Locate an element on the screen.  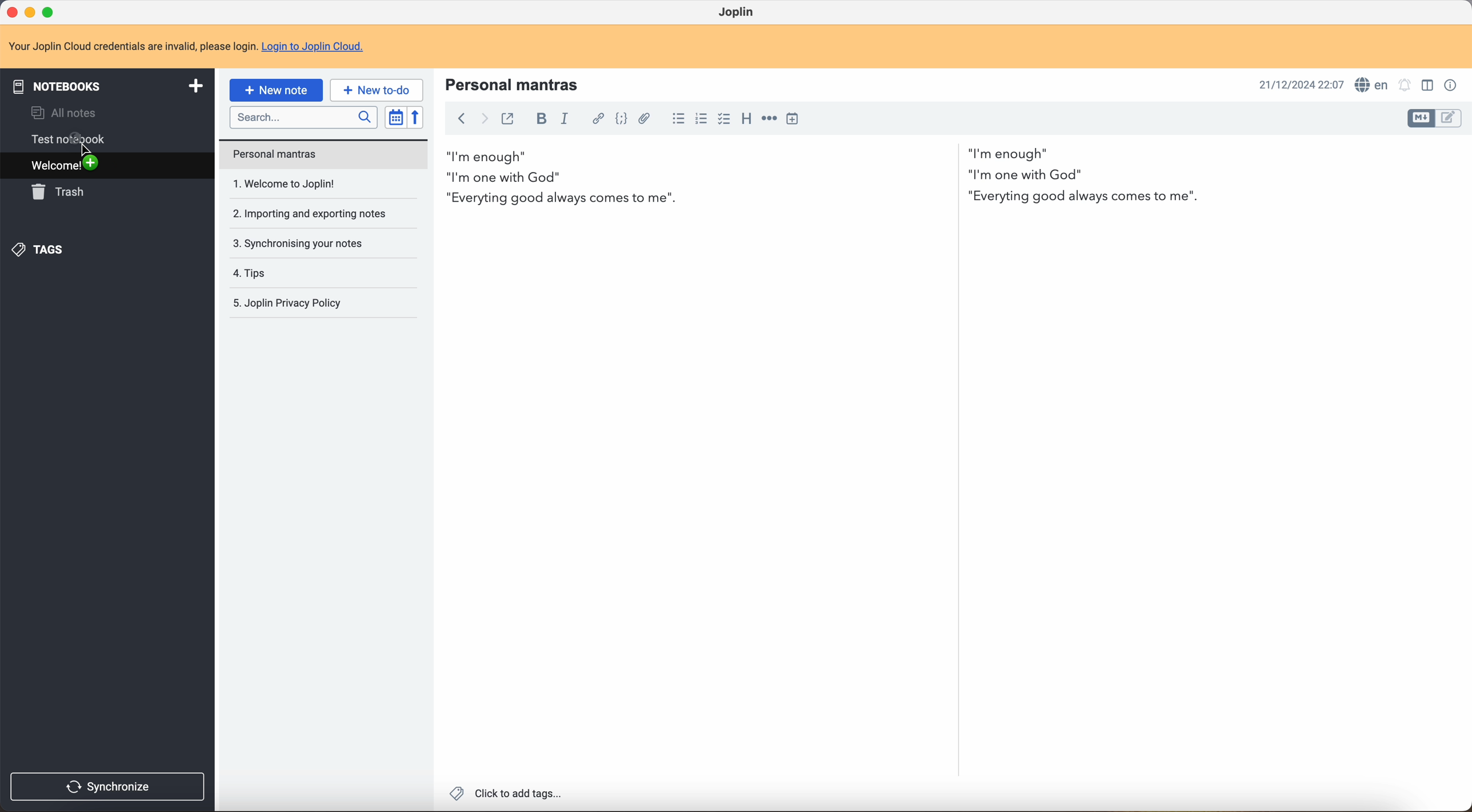
trash is located at coordinates (59, 193).